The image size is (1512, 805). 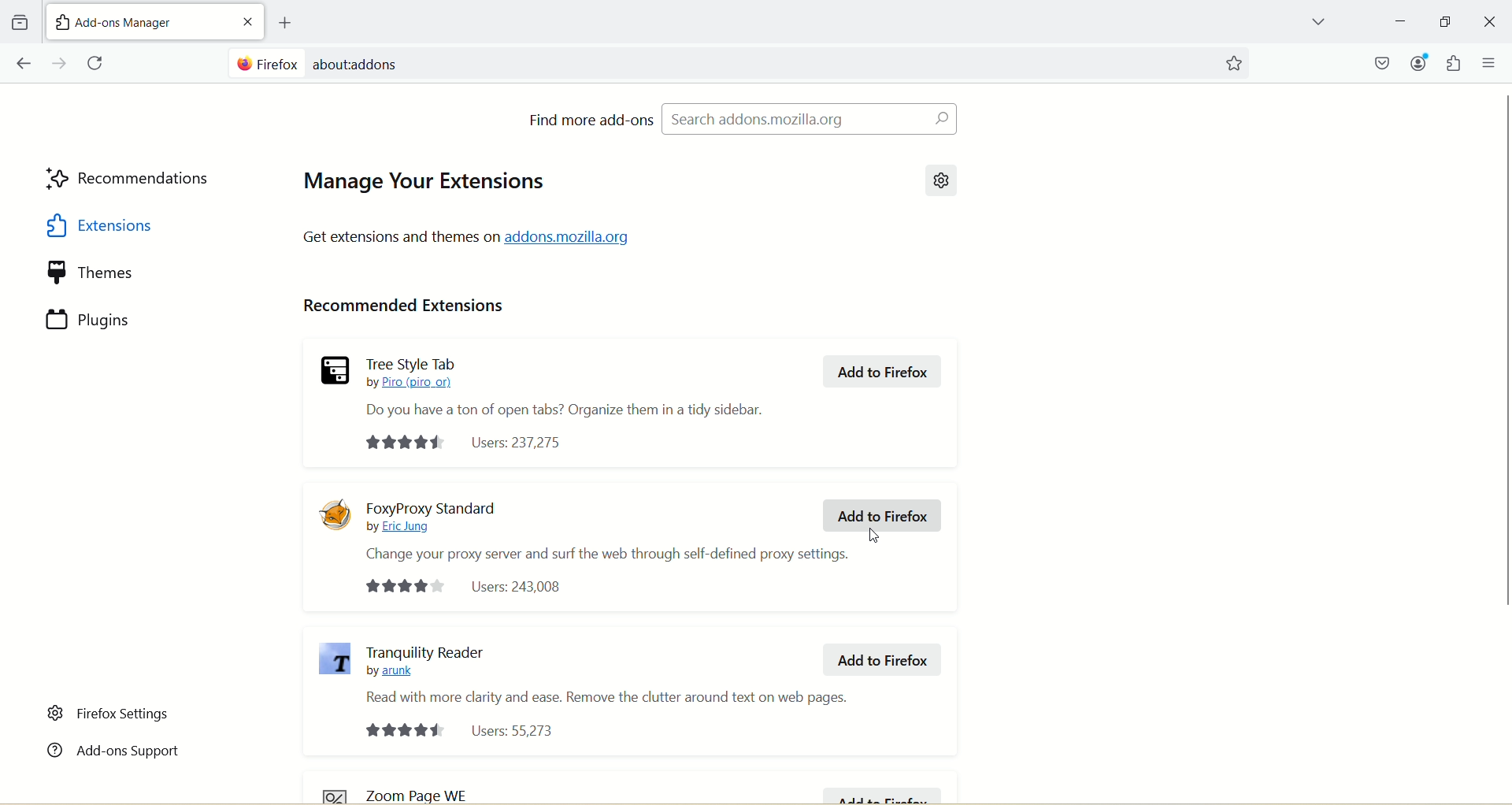 I want to click on Account, so click(x=1418, y=62).